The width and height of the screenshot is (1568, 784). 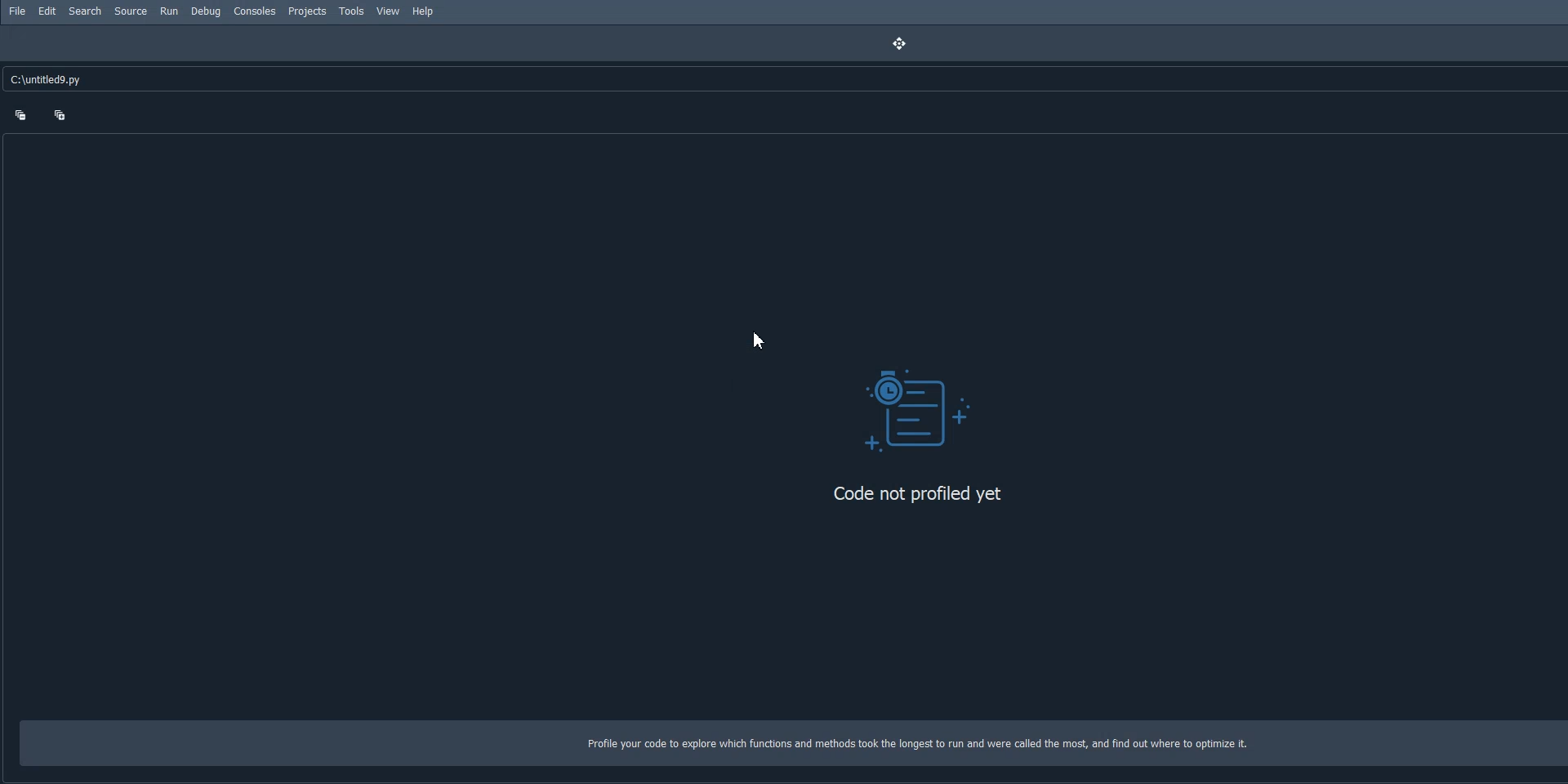 What do you see at coordinates (168, 11) in the screenshot?
I see `Run` at bounding box center [168, 11].